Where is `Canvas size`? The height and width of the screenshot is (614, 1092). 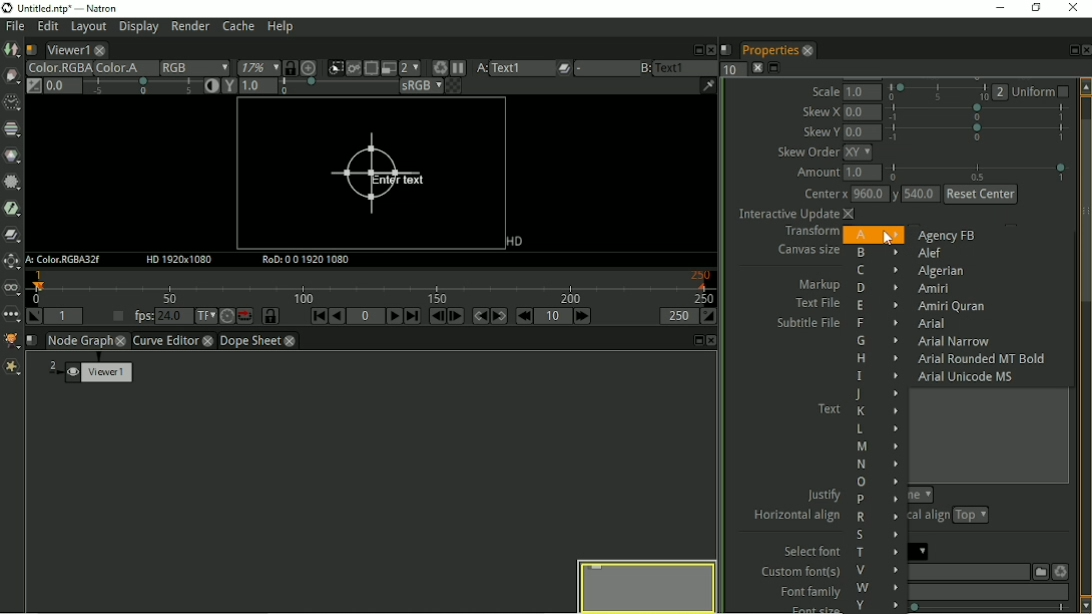 Canvas size is located at coordinates (805, 251).